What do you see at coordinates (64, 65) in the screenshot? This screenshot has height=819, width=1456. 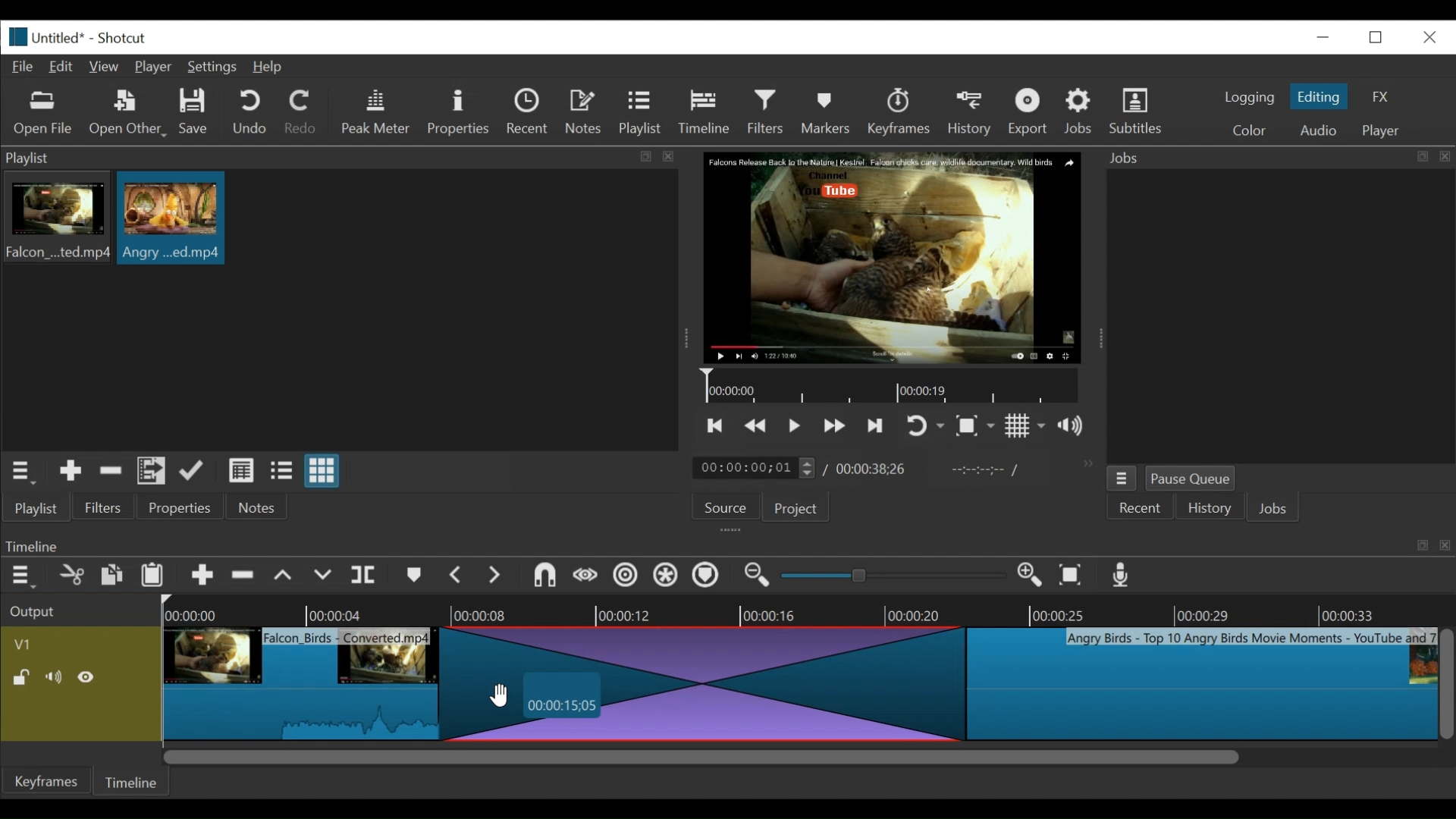 I see `Edit` at bounding box center [64, 65].